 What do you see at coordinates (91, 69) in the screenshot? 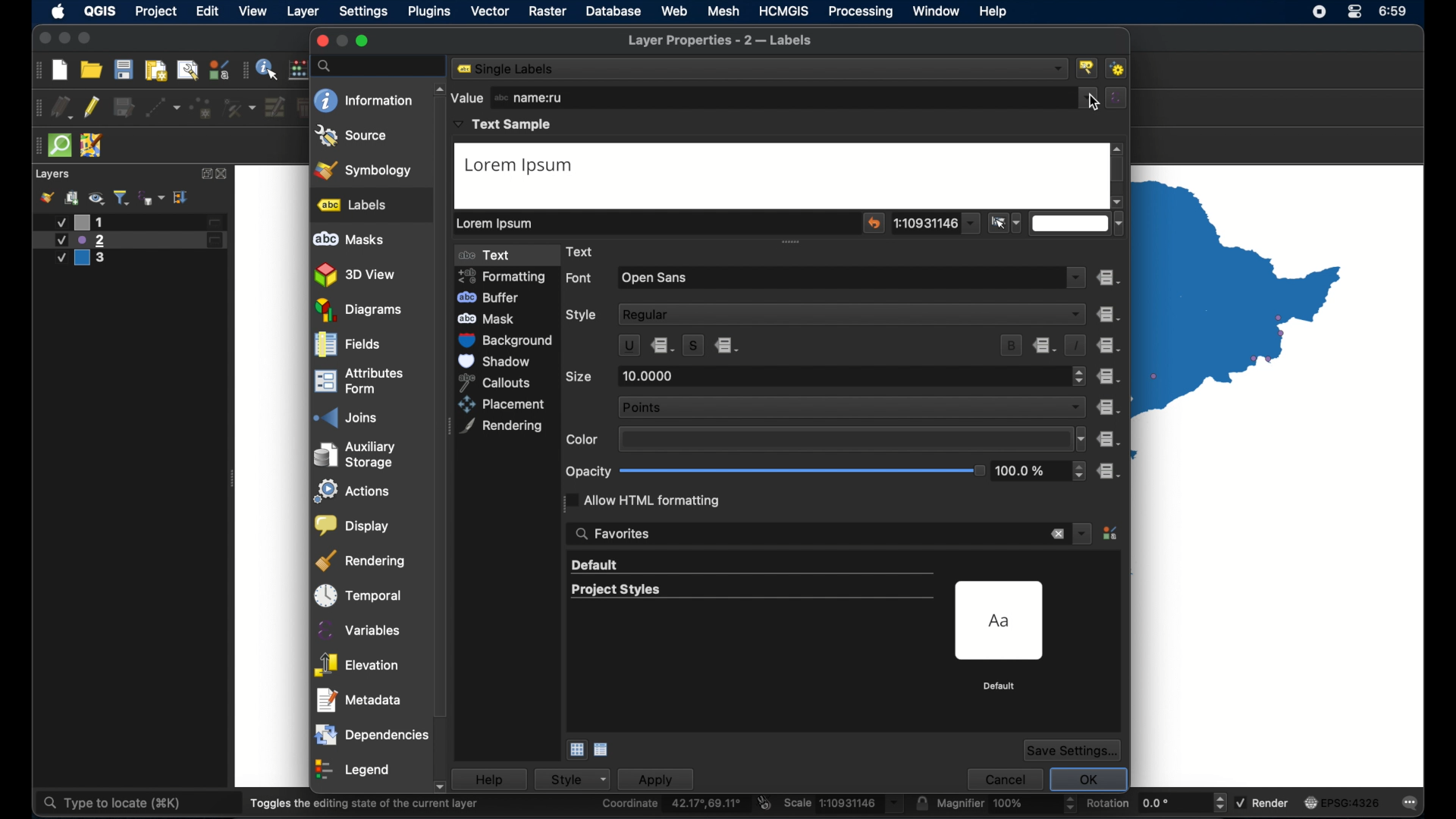
I see `open` at bounding box center [91, 69].